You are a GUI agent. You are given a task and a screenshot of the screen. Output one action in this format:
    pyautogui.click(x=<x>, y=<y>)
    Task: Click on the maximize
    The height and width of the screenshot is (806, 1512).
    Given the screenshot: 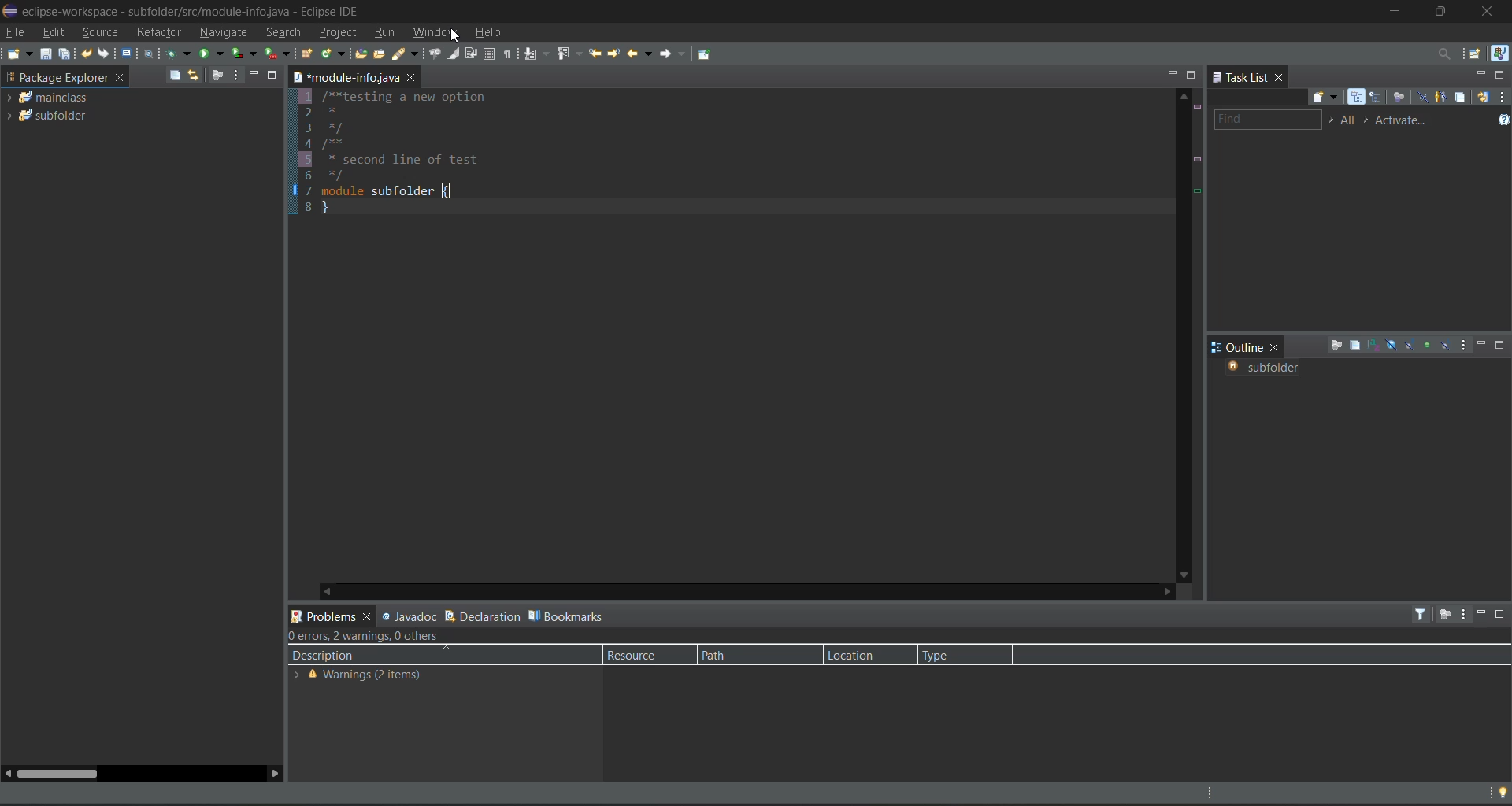 What is the action you would take?
    pyautogui.click(x=1501, y=614)
    